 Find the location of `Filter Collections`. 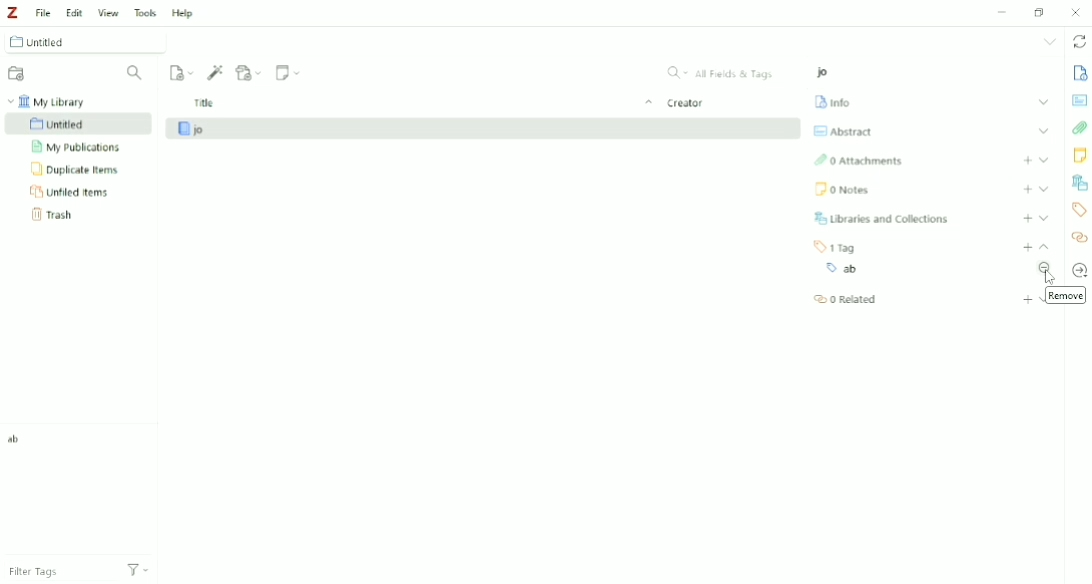

Filter Collections is located at coordinates (137, 72).